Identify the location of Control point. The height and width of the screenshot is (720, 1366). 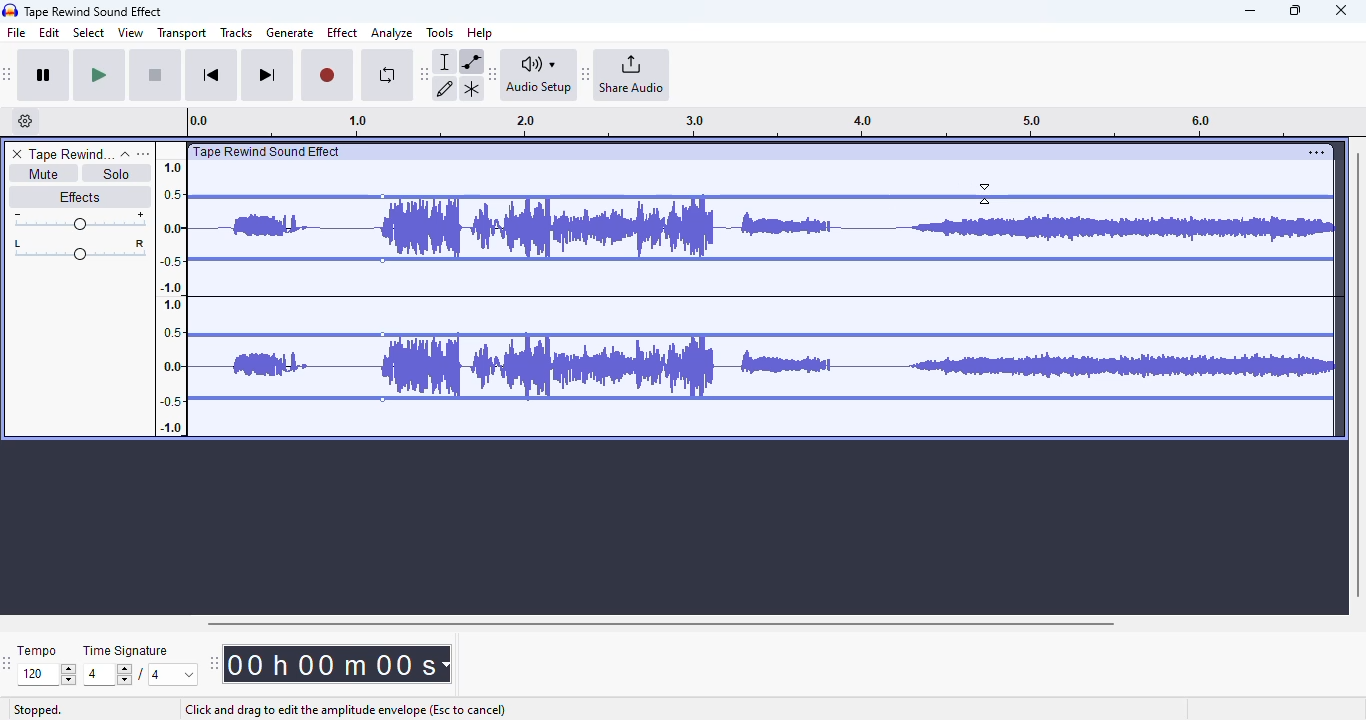
(383, 197).